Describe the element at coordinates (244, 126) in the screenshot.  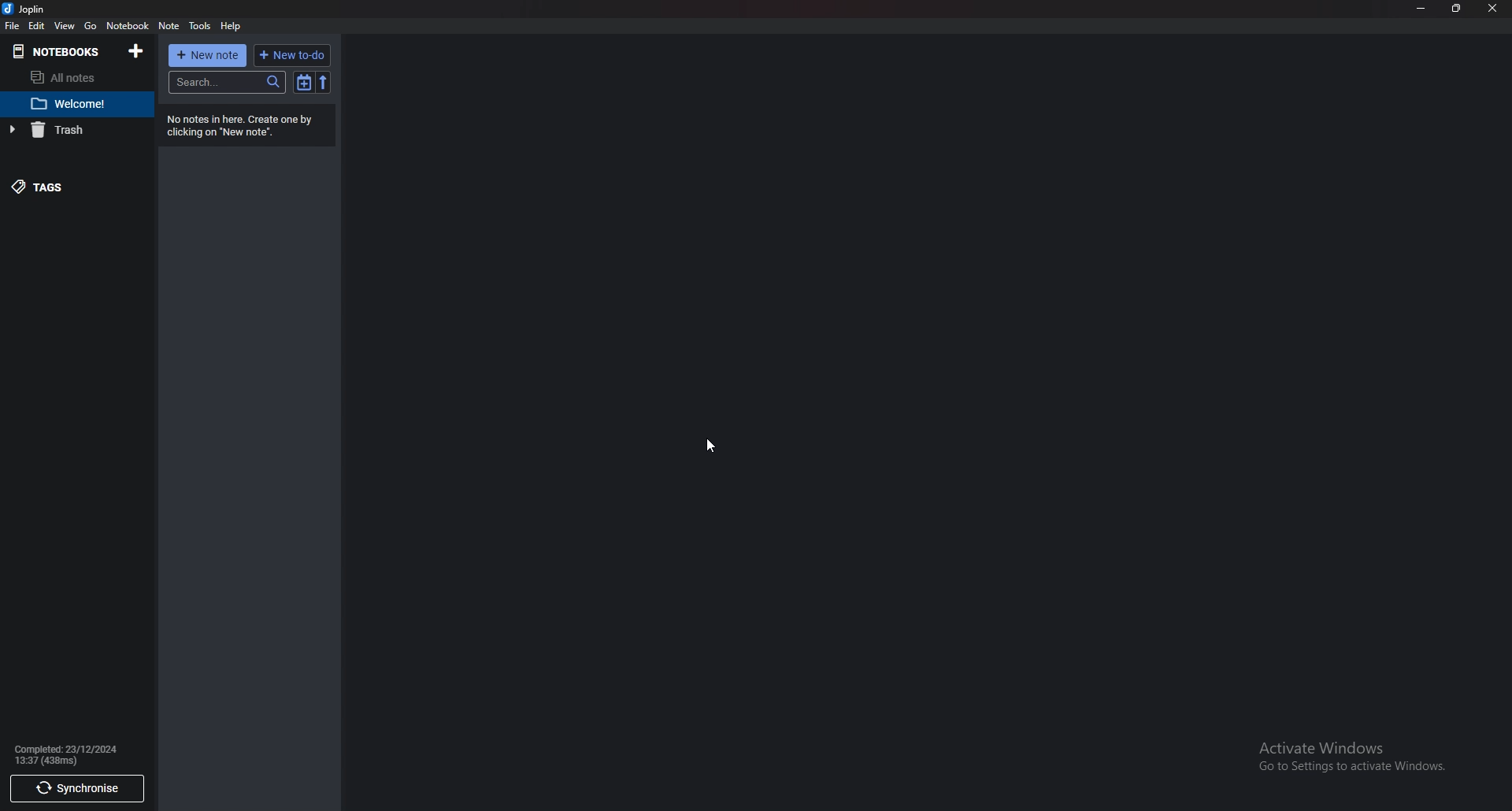
I see `Info` at that location.